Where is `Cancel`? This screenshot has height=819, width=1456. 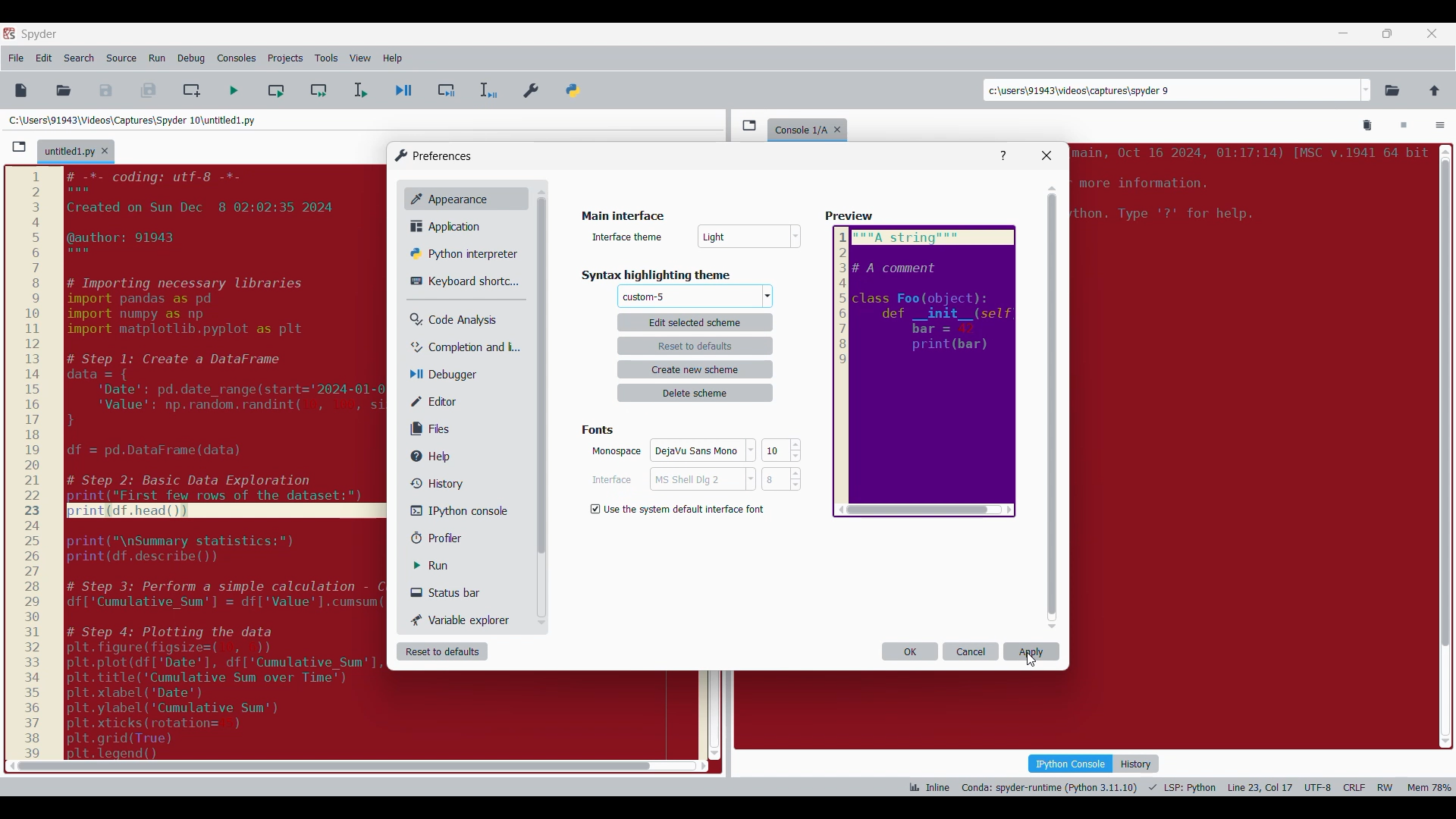 Cancel is located at coordinates (695, 482).